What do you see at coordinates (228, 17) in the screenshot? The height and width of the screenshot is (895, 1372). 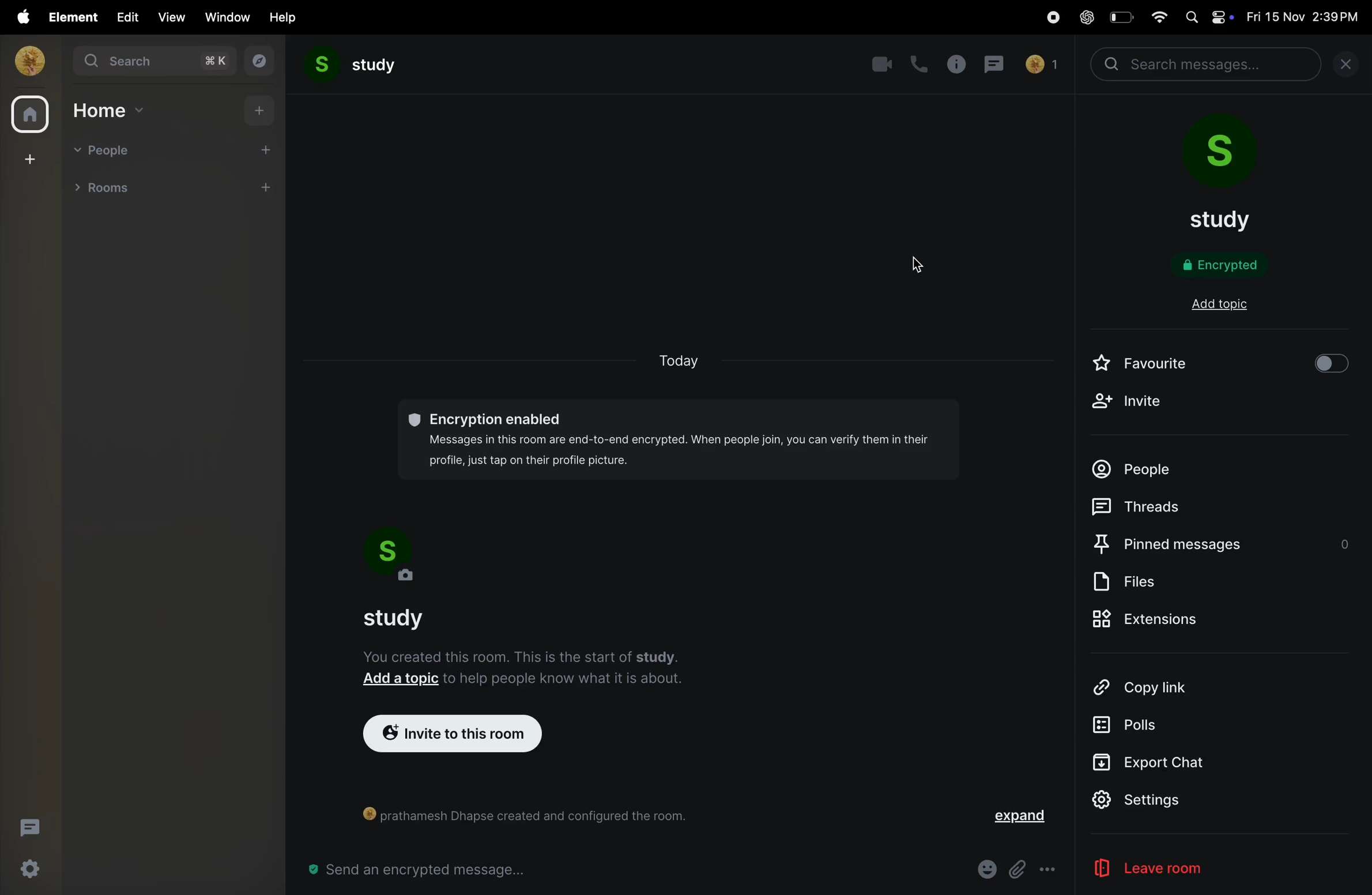 I see `window` at bounding box center [228, 17].